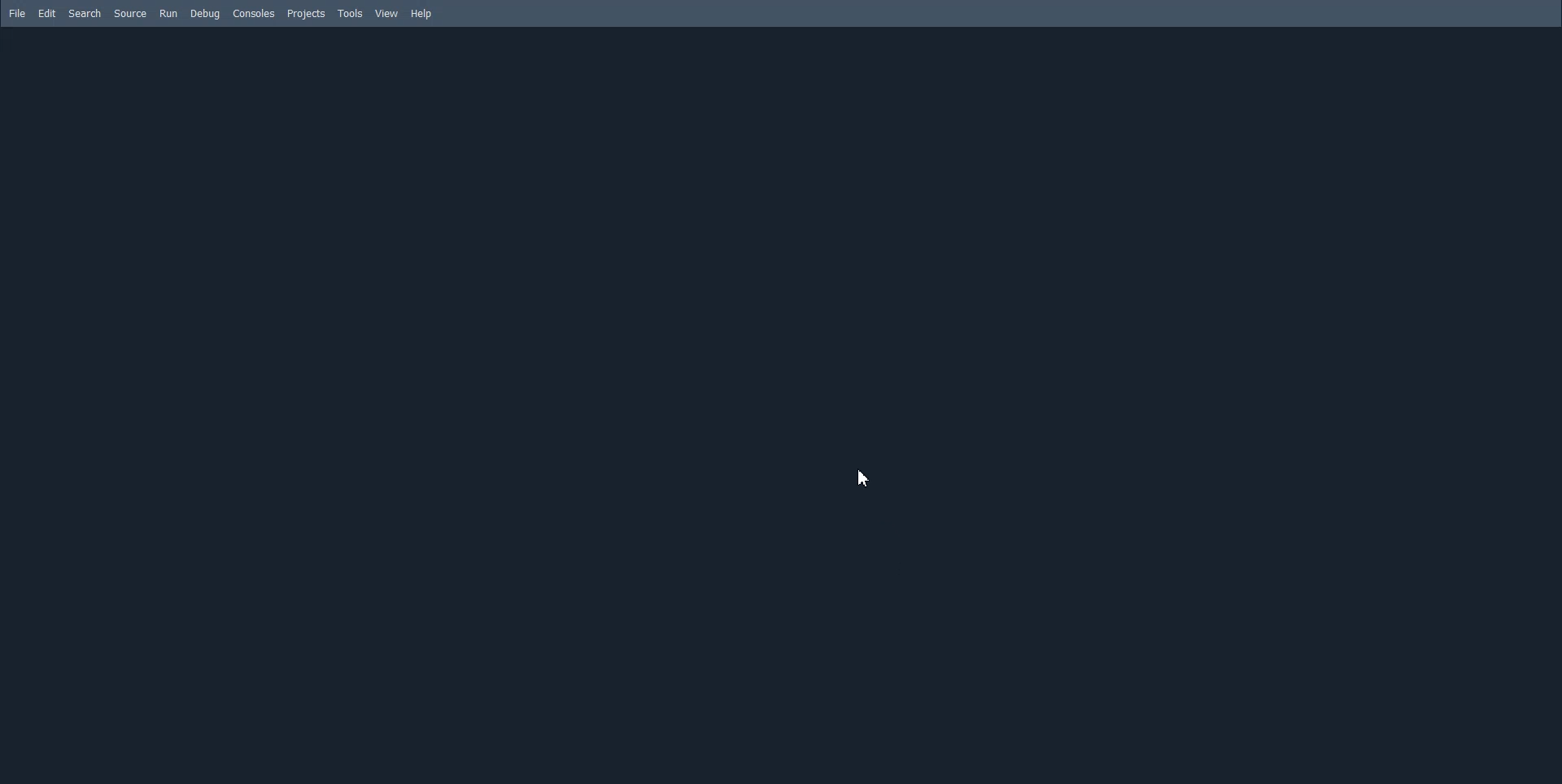 The image size is (1562, 784). I want to click on View, so click(387, 13).